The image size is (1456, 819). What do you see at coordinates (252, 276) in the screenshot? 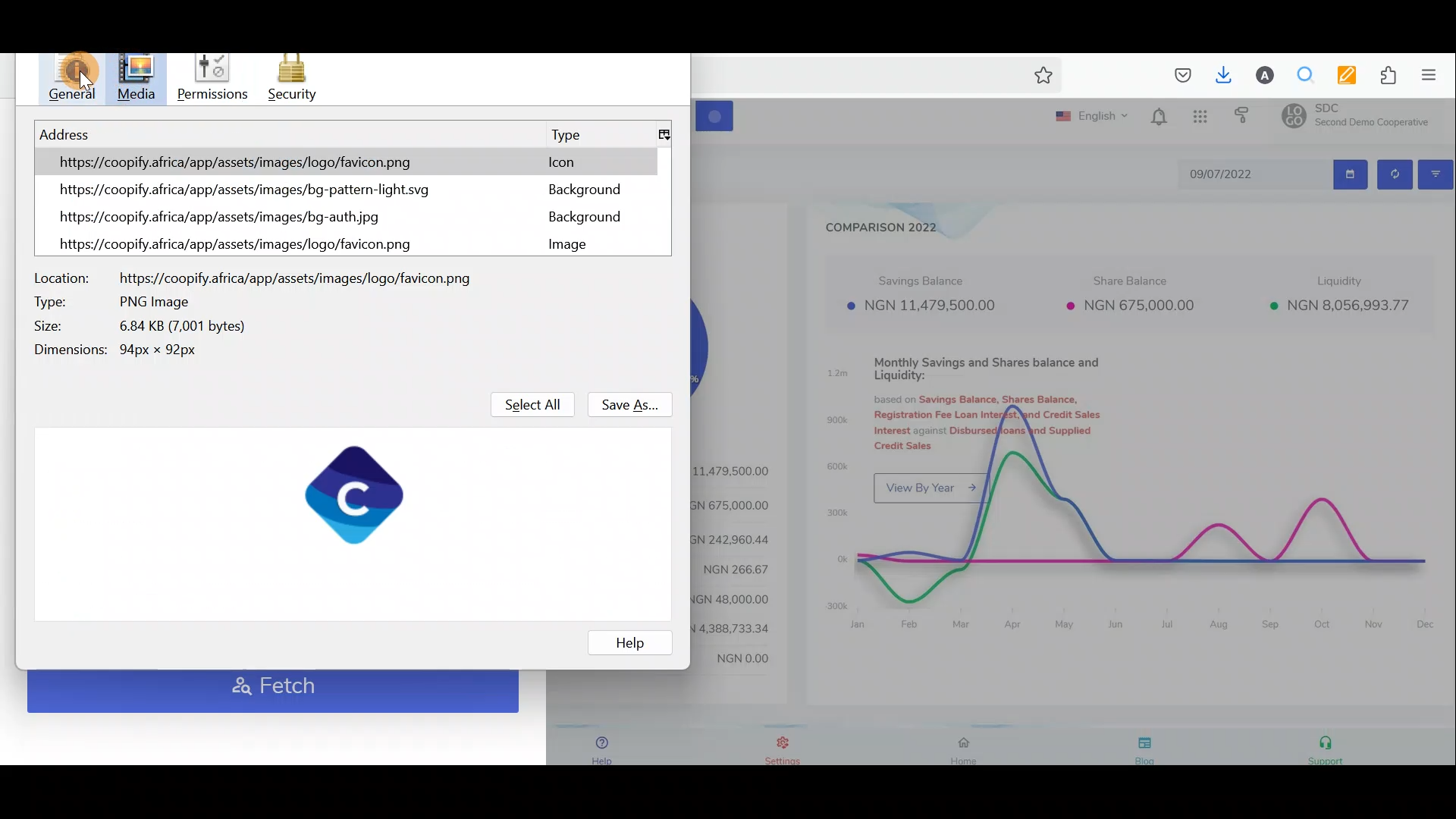
I see `Location` at bounding box center [252, 276].